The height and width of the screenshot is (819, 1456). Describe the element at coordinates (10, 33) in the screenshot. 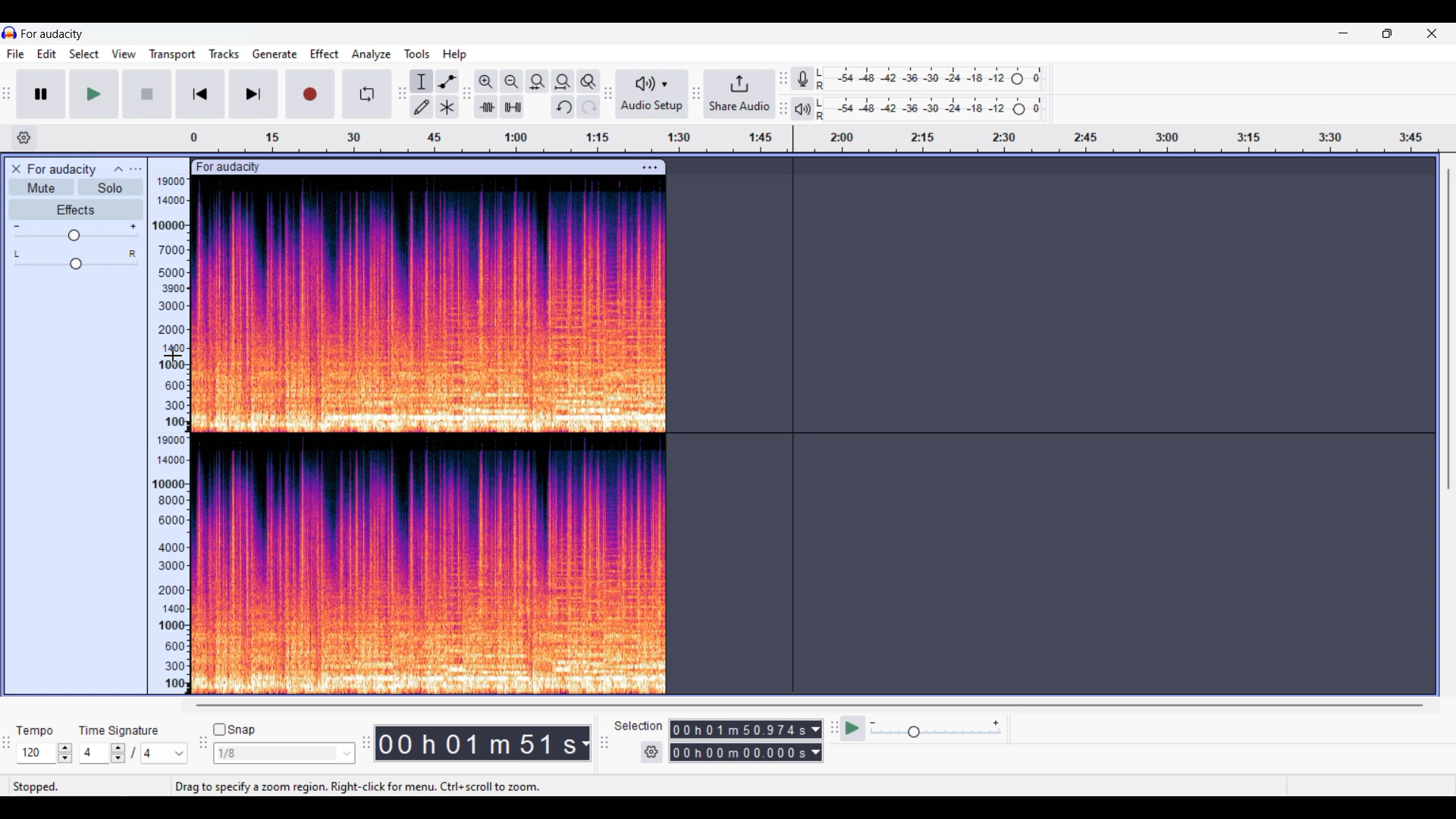

I see `Software logo` at that location.